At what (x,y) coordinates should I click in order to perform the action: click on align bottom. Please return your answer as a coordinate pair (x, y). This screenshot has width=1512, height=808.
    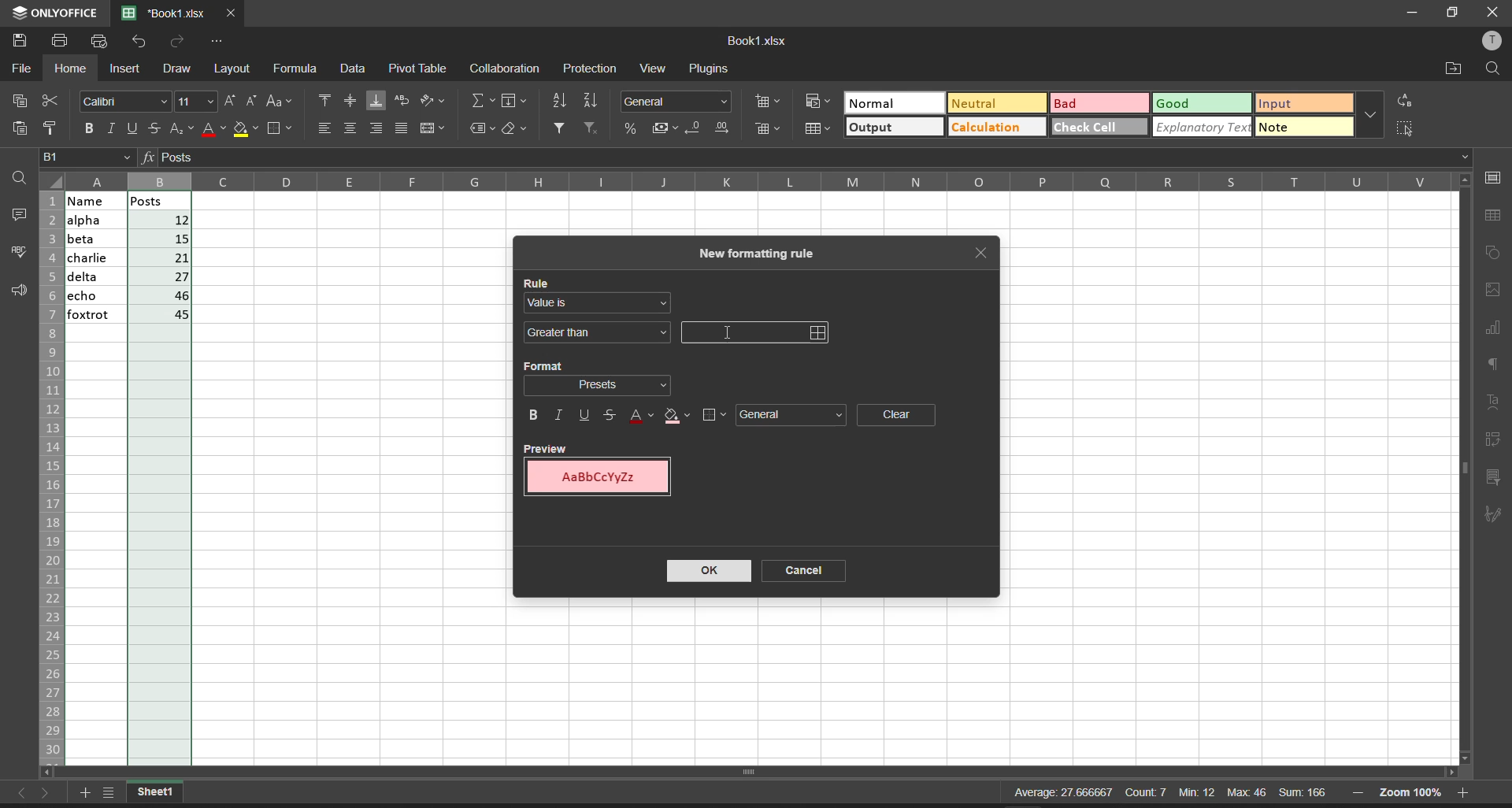
    Looking at the image, I should click on (372, 101).